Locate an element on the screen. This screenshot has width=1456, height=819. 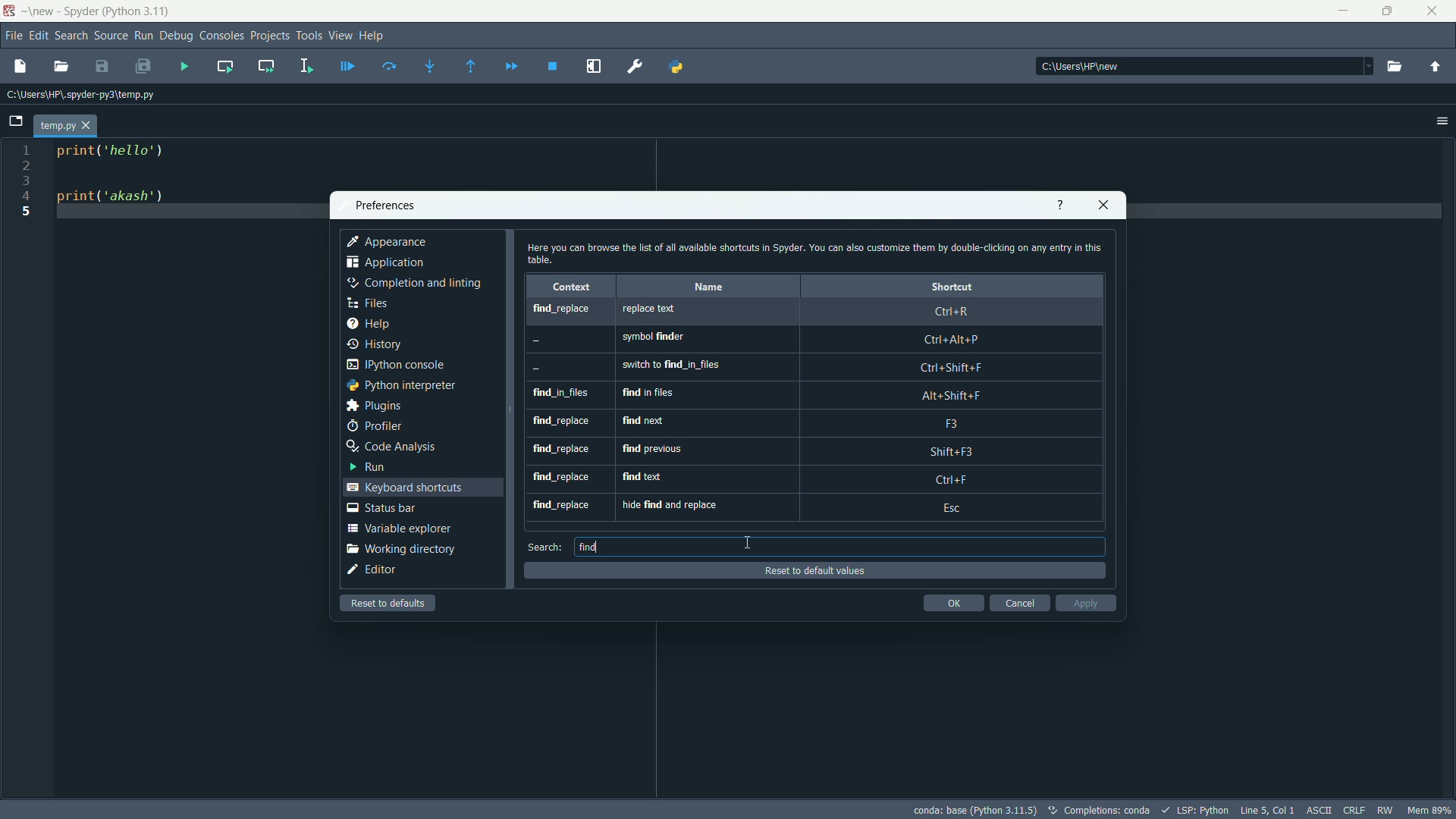
plugins is located at coordinates (375, 406).